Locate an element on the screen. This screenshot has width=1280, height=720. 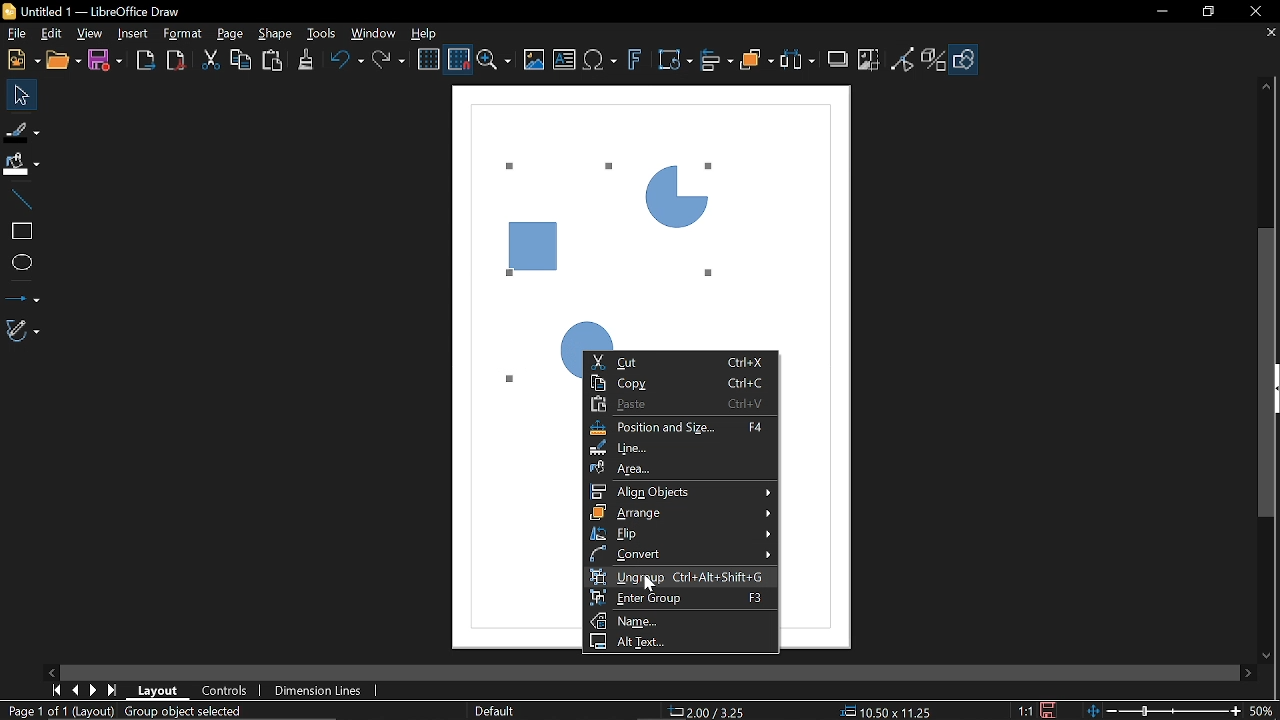
Copy is located at coordinates (241, 60).